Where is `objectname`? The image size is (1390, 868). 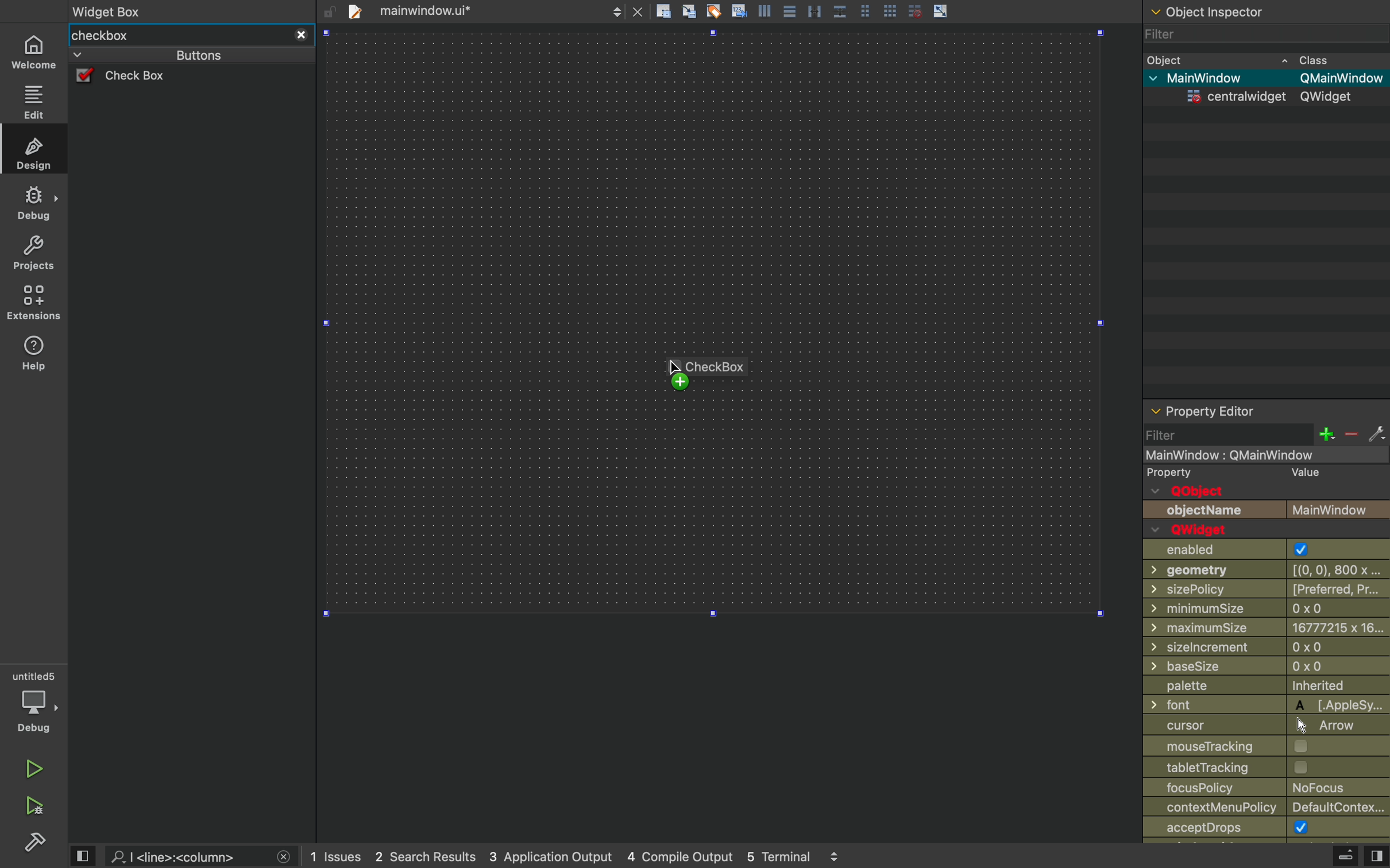 objectname is located at coordinates (1266, 510).